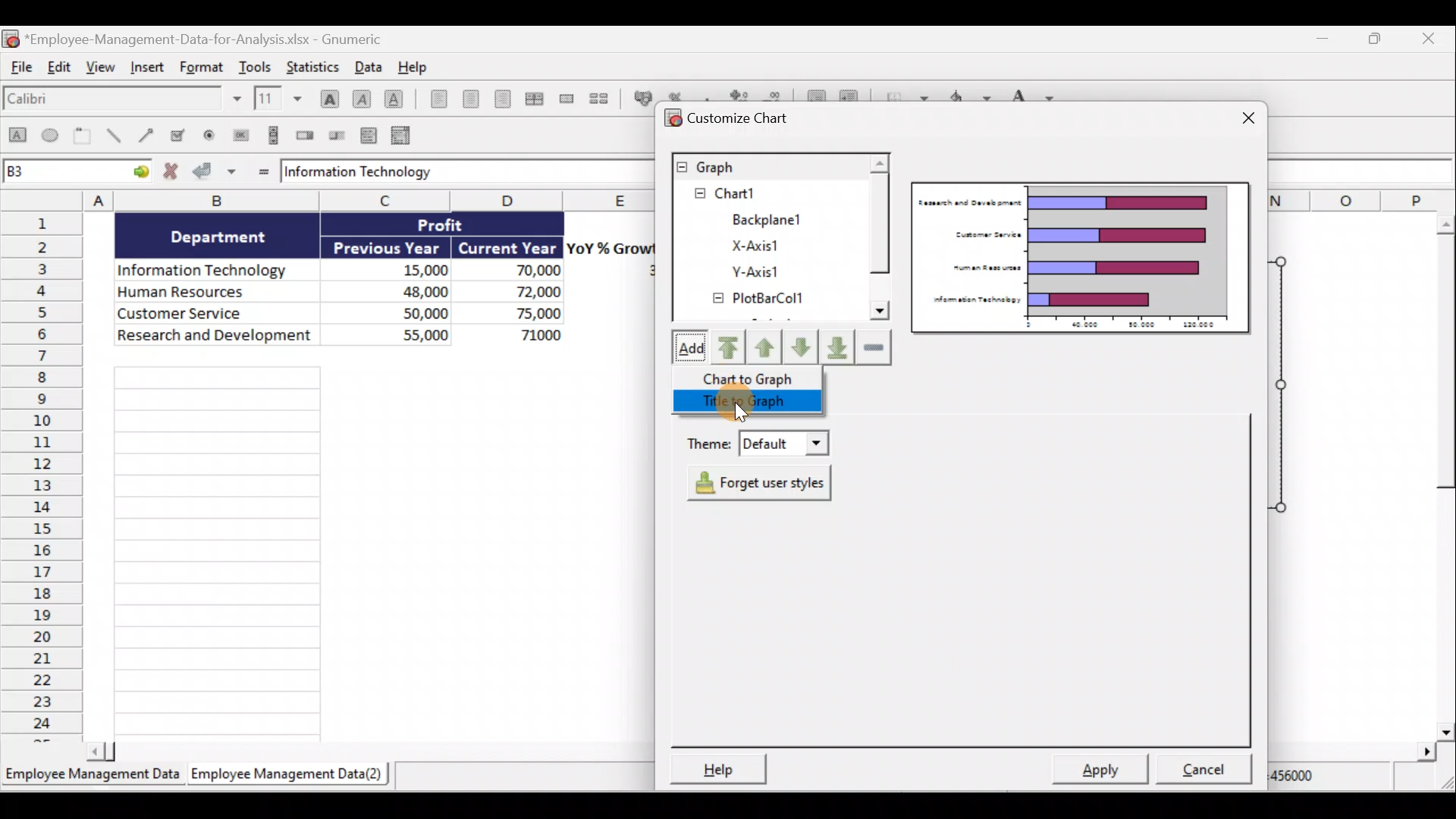 The width and height of the screenshot is (1456, 819). Describe the element at coordinates (290, 774) in the screenshot. I see `Employee Management Data(2)` at that location.